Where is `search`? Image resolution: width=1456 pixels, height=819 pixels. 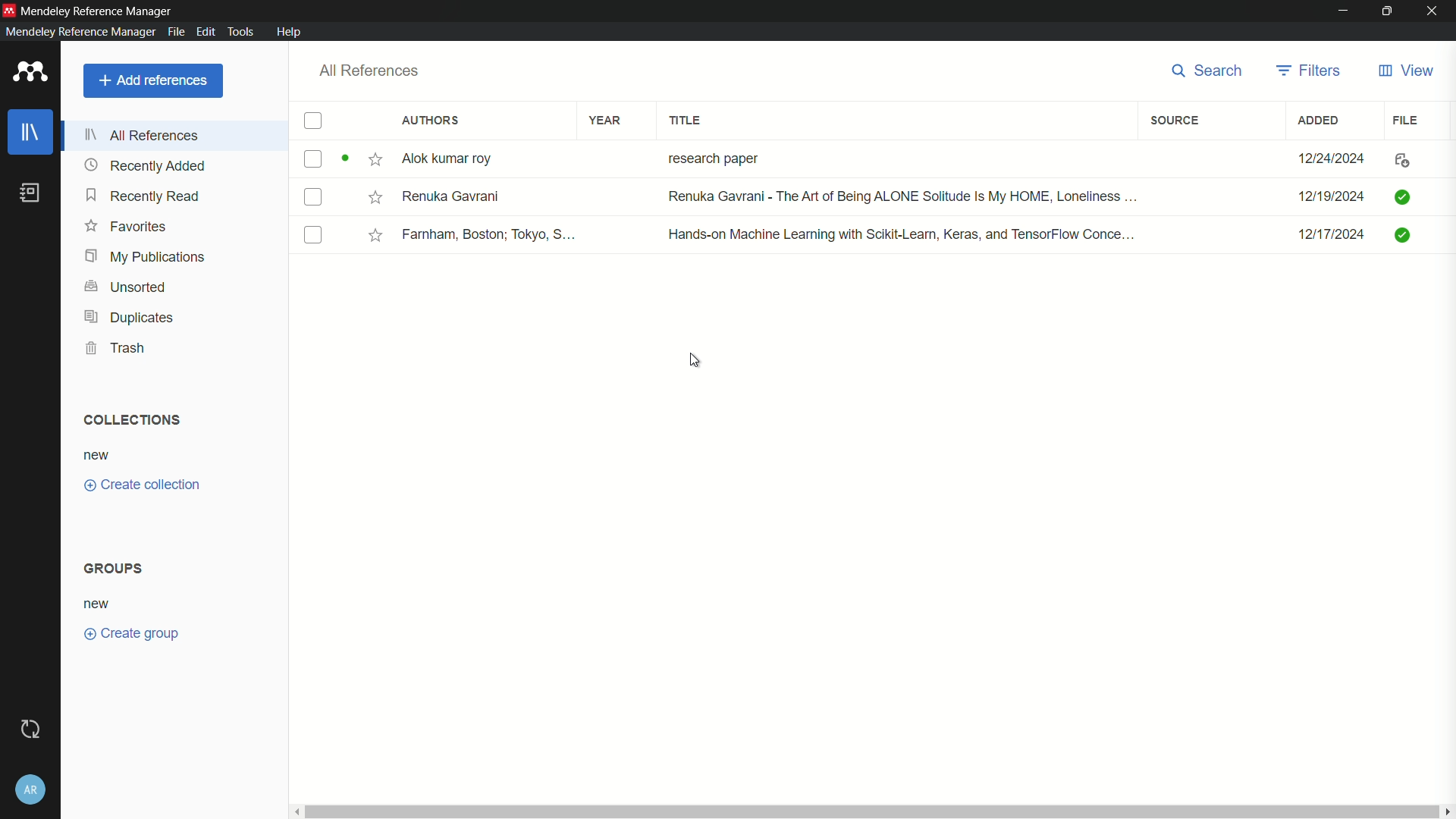 search is located at coordinates (1209, 72).